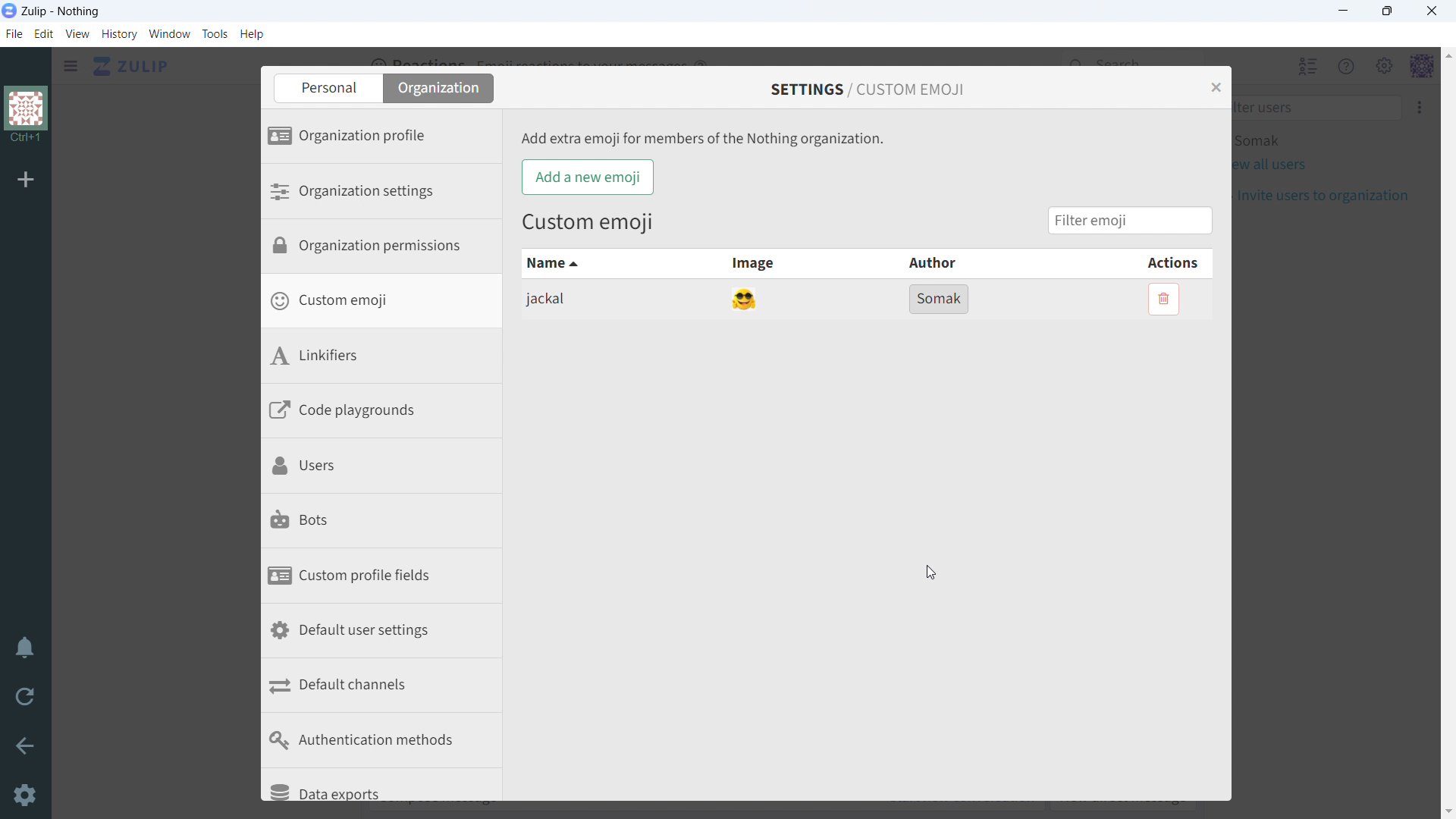  Describe the element at coordinates (1165, 298) in the screenshot. I see `delete` at that location.